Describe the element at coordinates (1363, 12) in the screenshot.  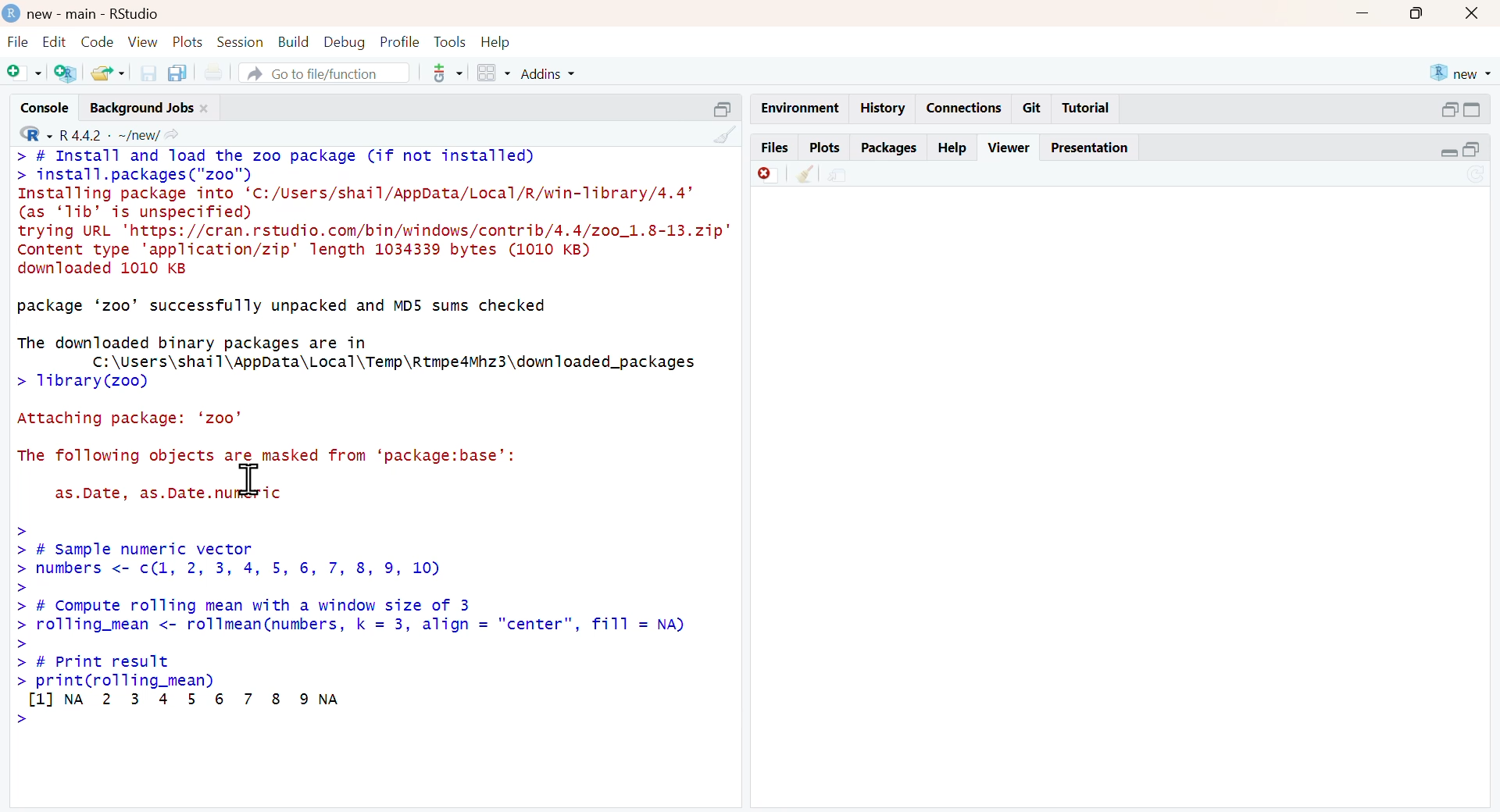
I see `minimise` at that location.